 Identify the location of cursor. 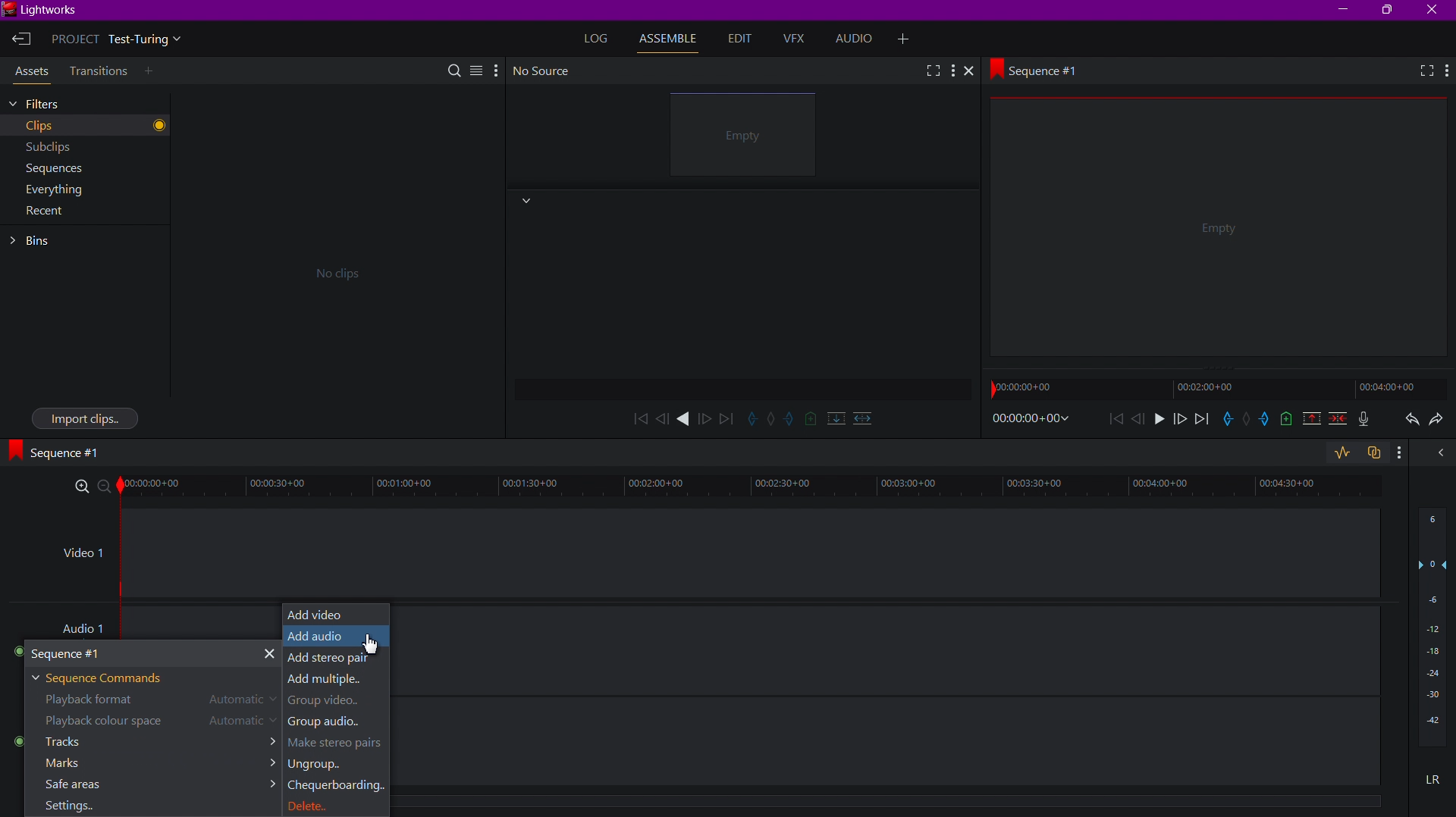
(370, 643).